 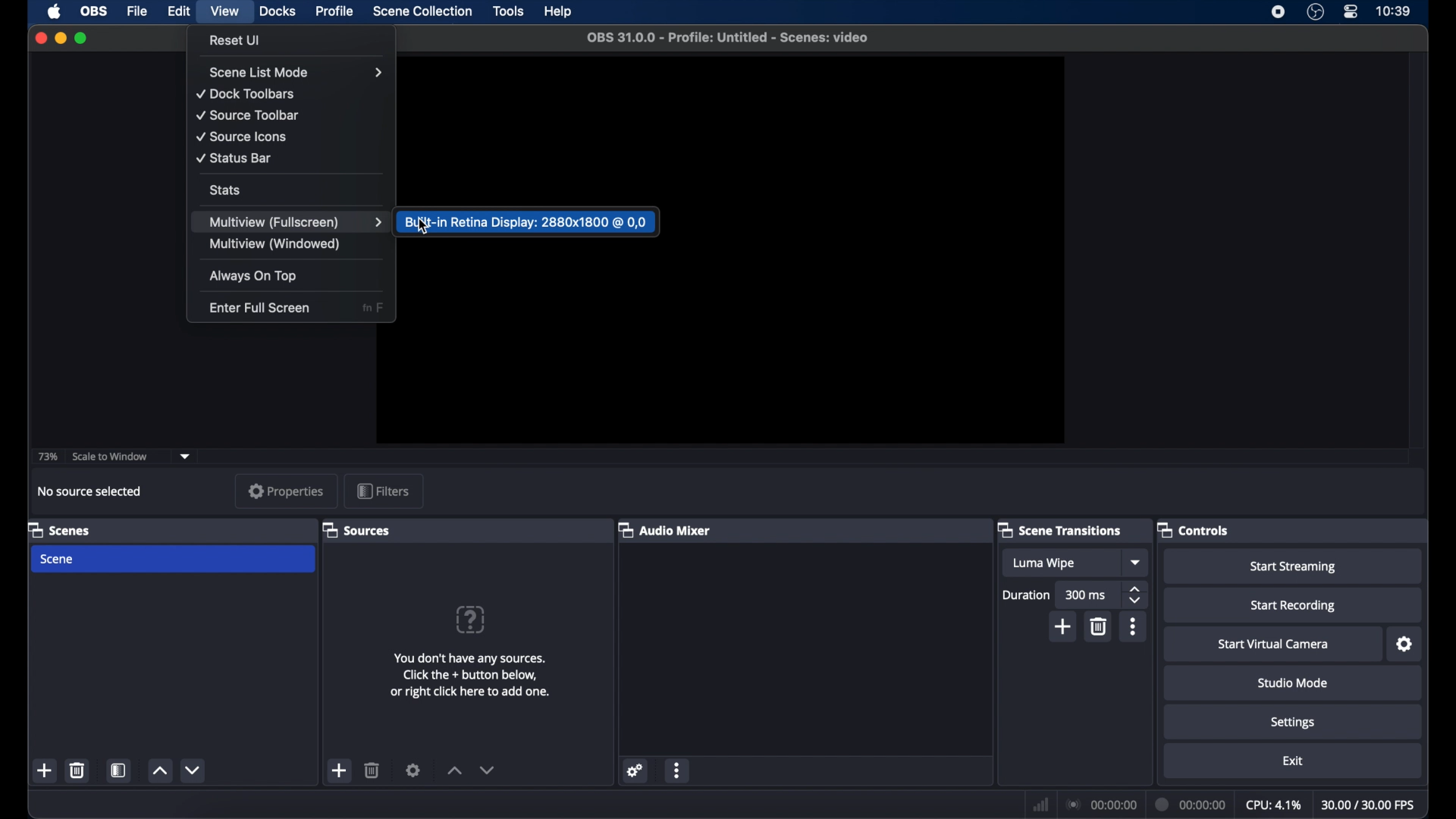 What do you see at coordinates (247, 94) in the screenshot?
I see `docktoolbars` at bounding box center [247, 94].